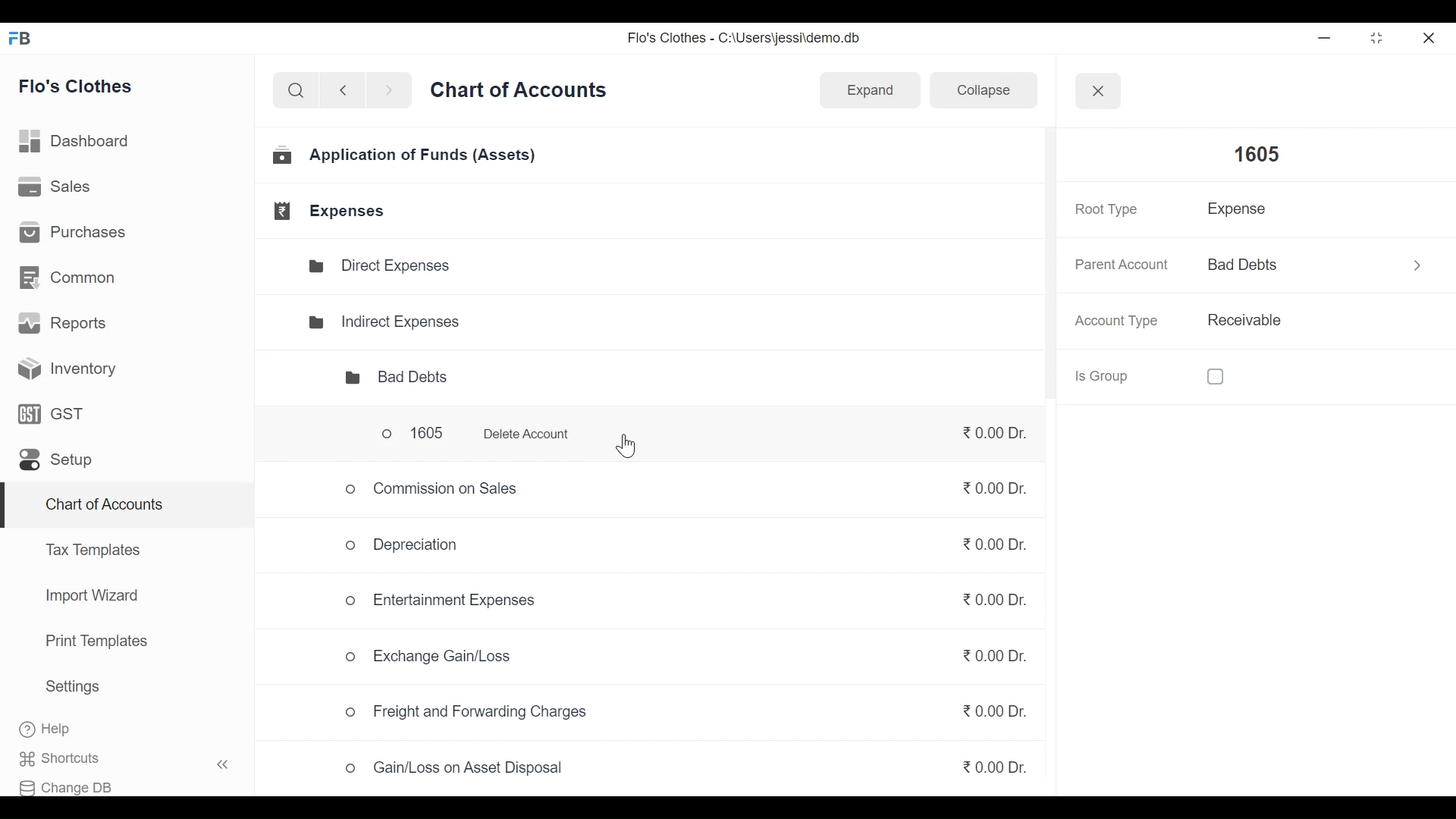 The height and width of the screenshot is (819, 1456). Describe the element at coordinates (432, 658) in the screenshot. I see `Exchange Gain/Loss` at that location.